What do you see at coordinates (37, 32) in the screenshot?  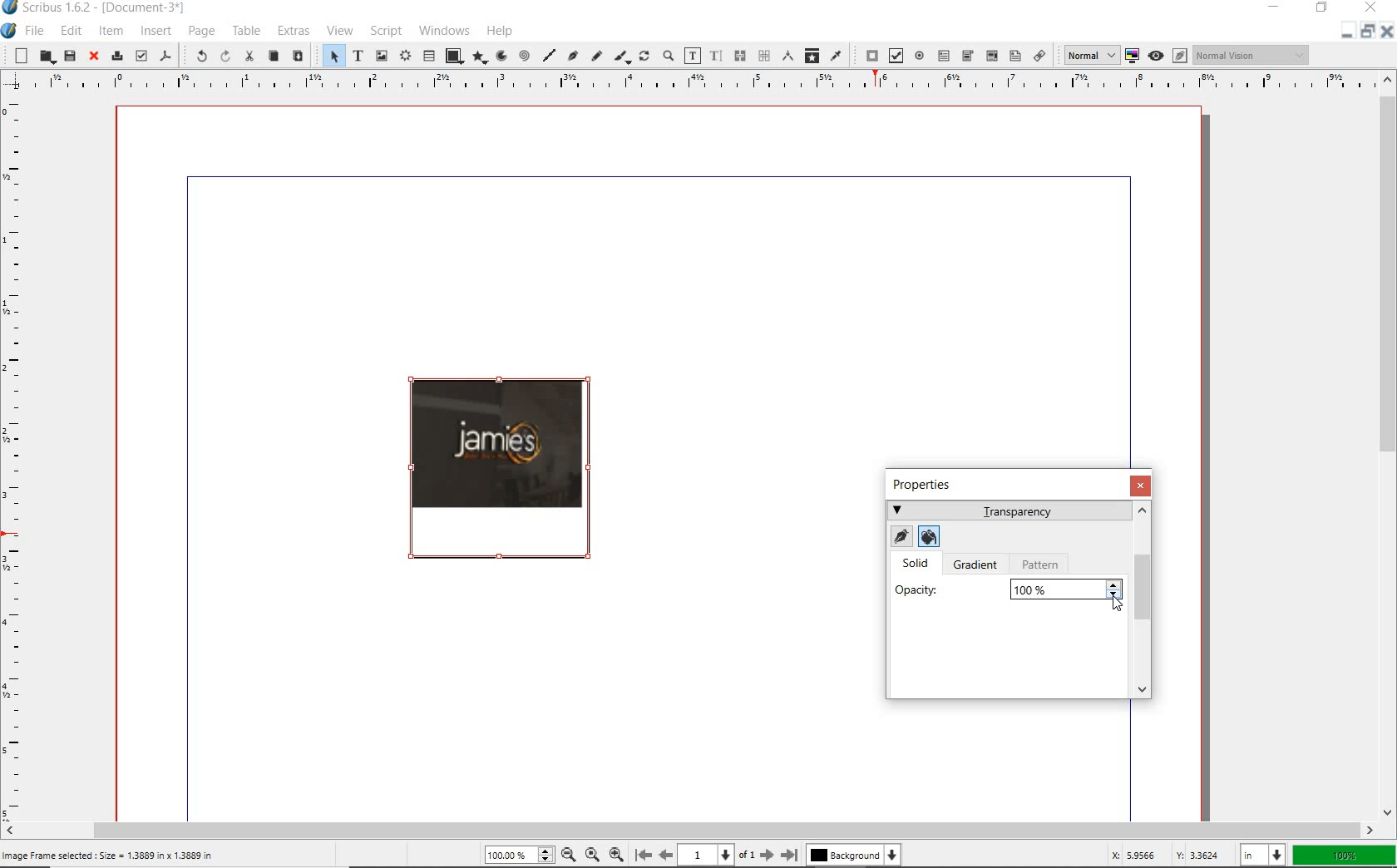 I see `FILE` at bounding box center [37, 32].